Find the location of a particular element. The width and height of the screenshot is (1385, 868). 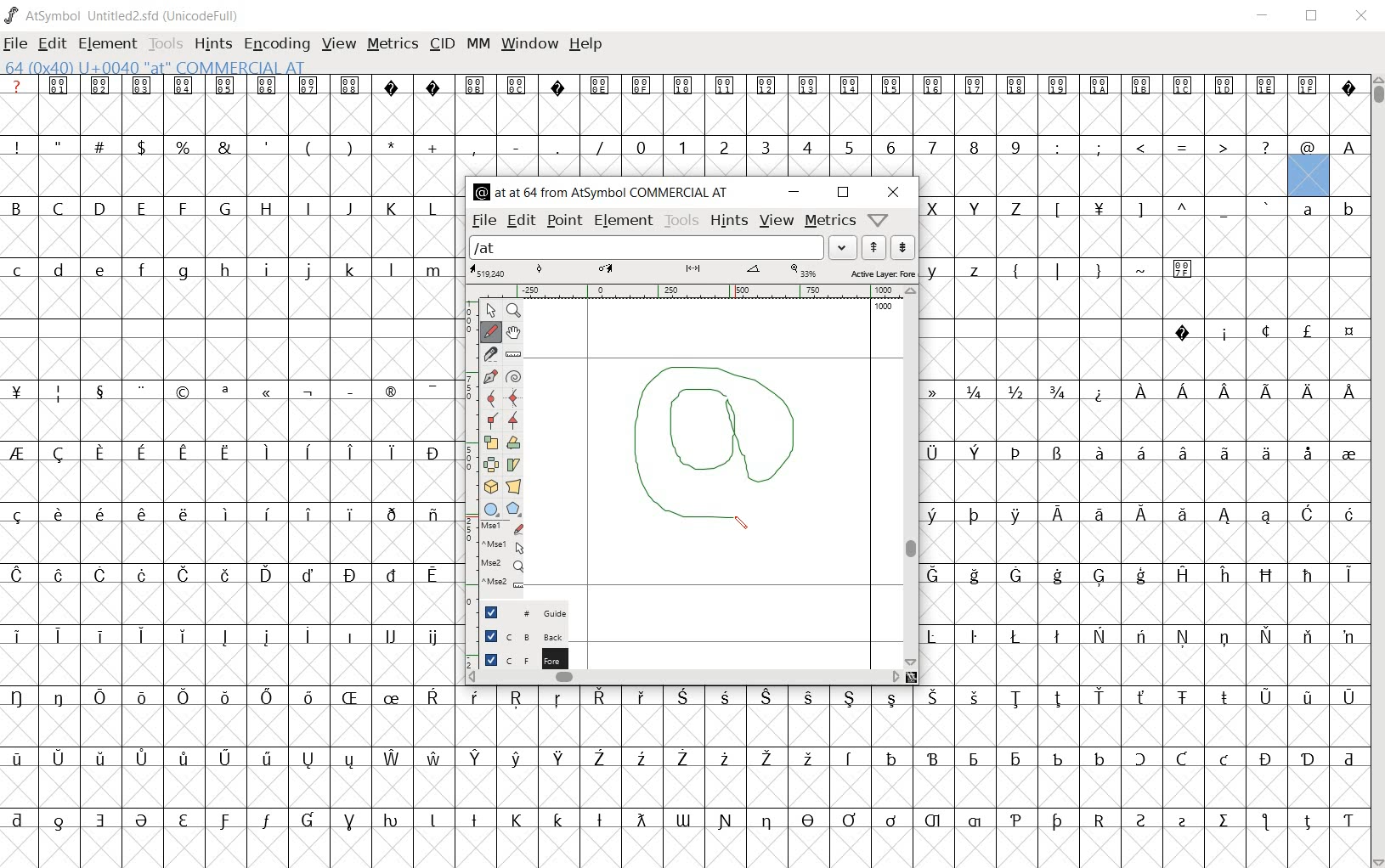

pen tool is located at coordinates (736, 405).